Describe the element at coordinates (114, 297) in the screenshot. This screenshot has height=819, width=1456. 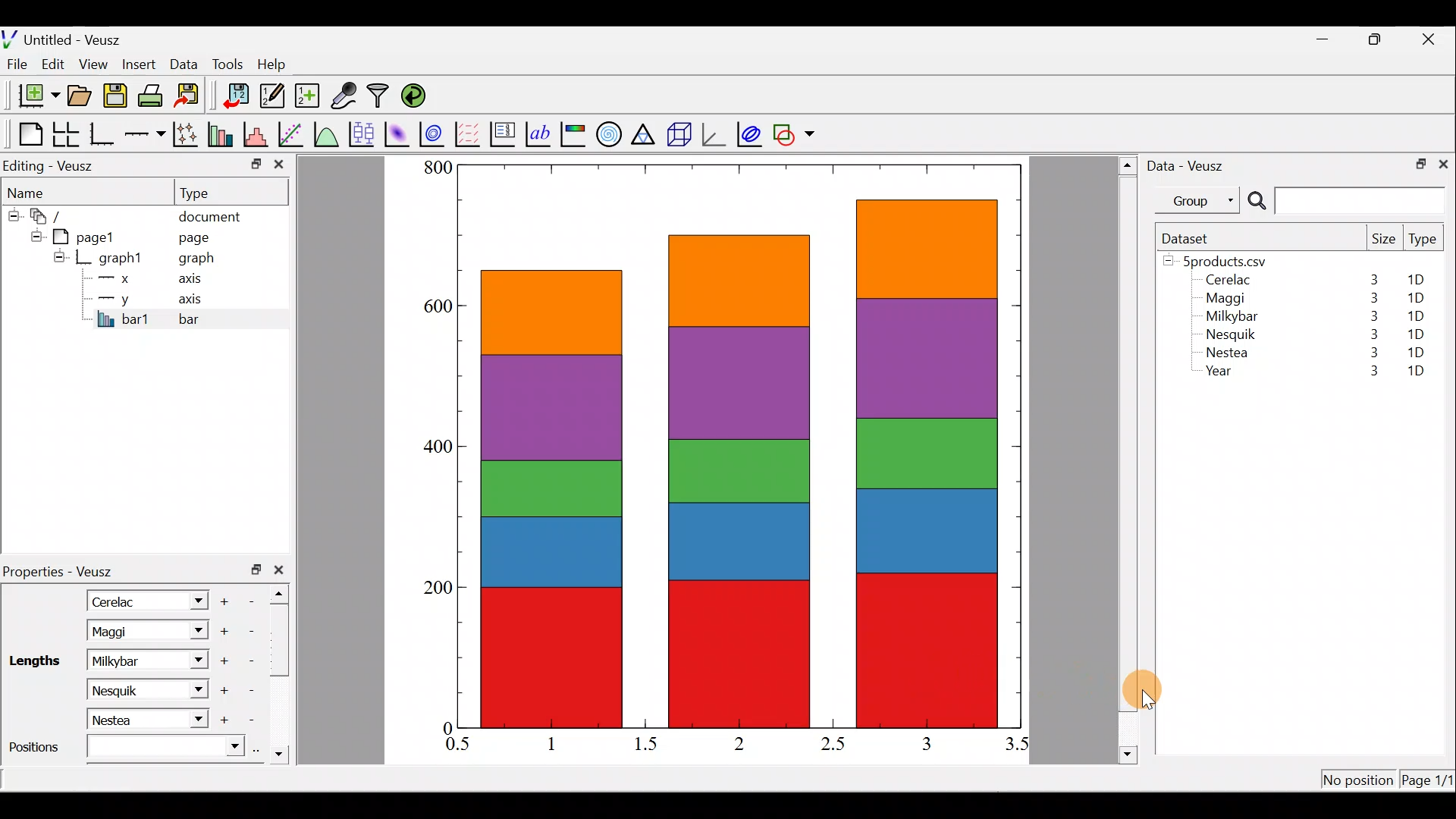
I see `y` at that location.